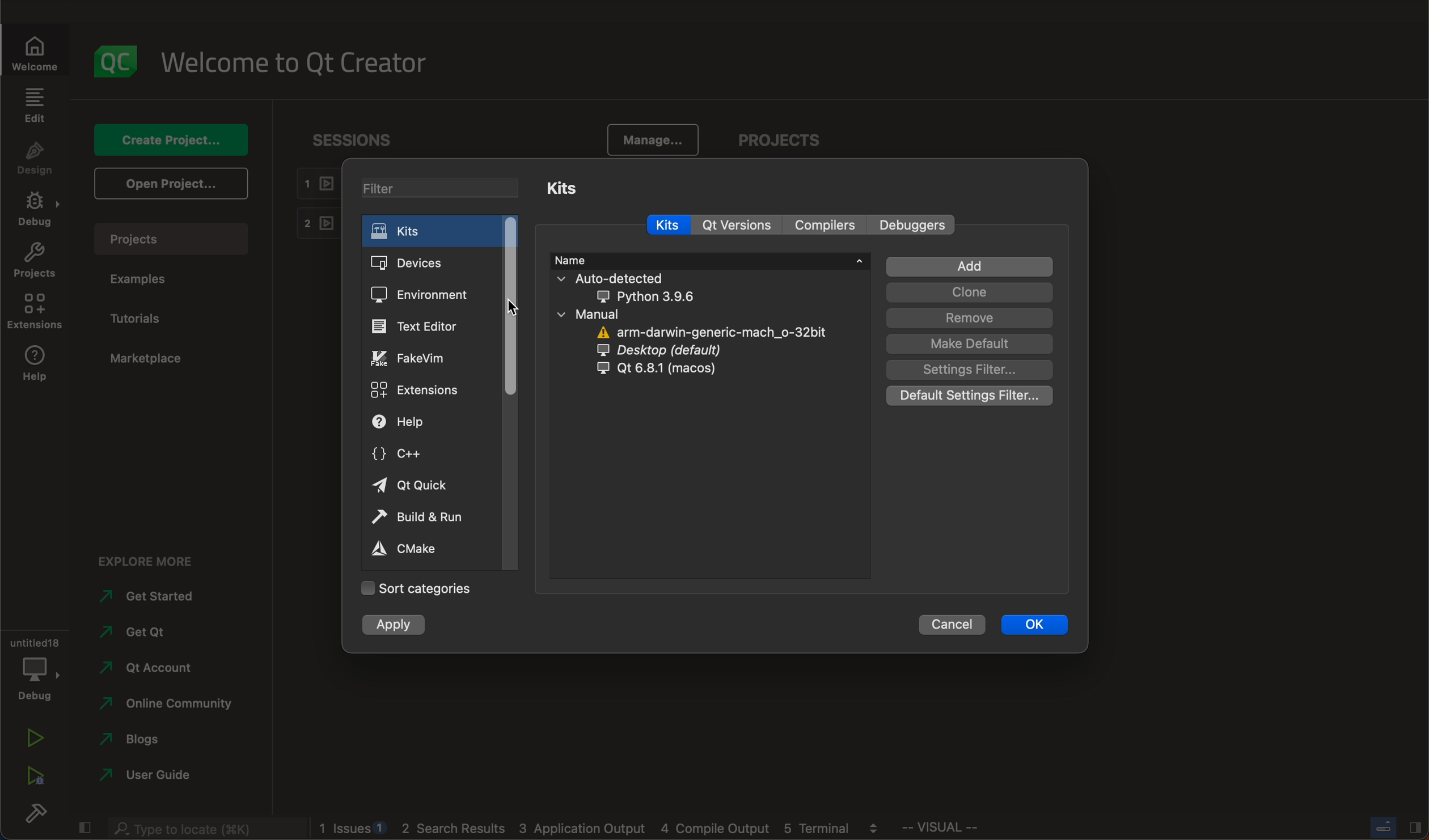  Describe the element at coordinates (346, 137) in the screenshot. I see `sessions` at that location.